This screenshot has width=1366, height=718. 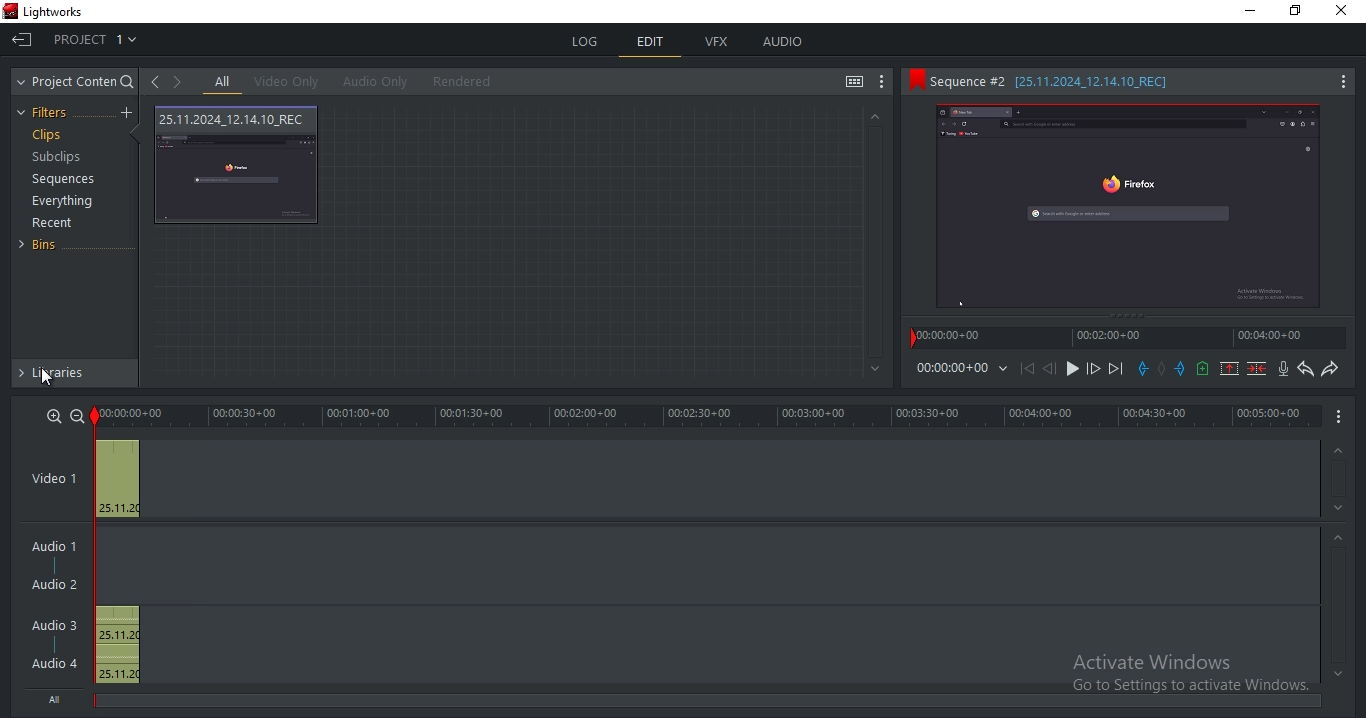 I want to click on project content, so click(x=75, y=82).